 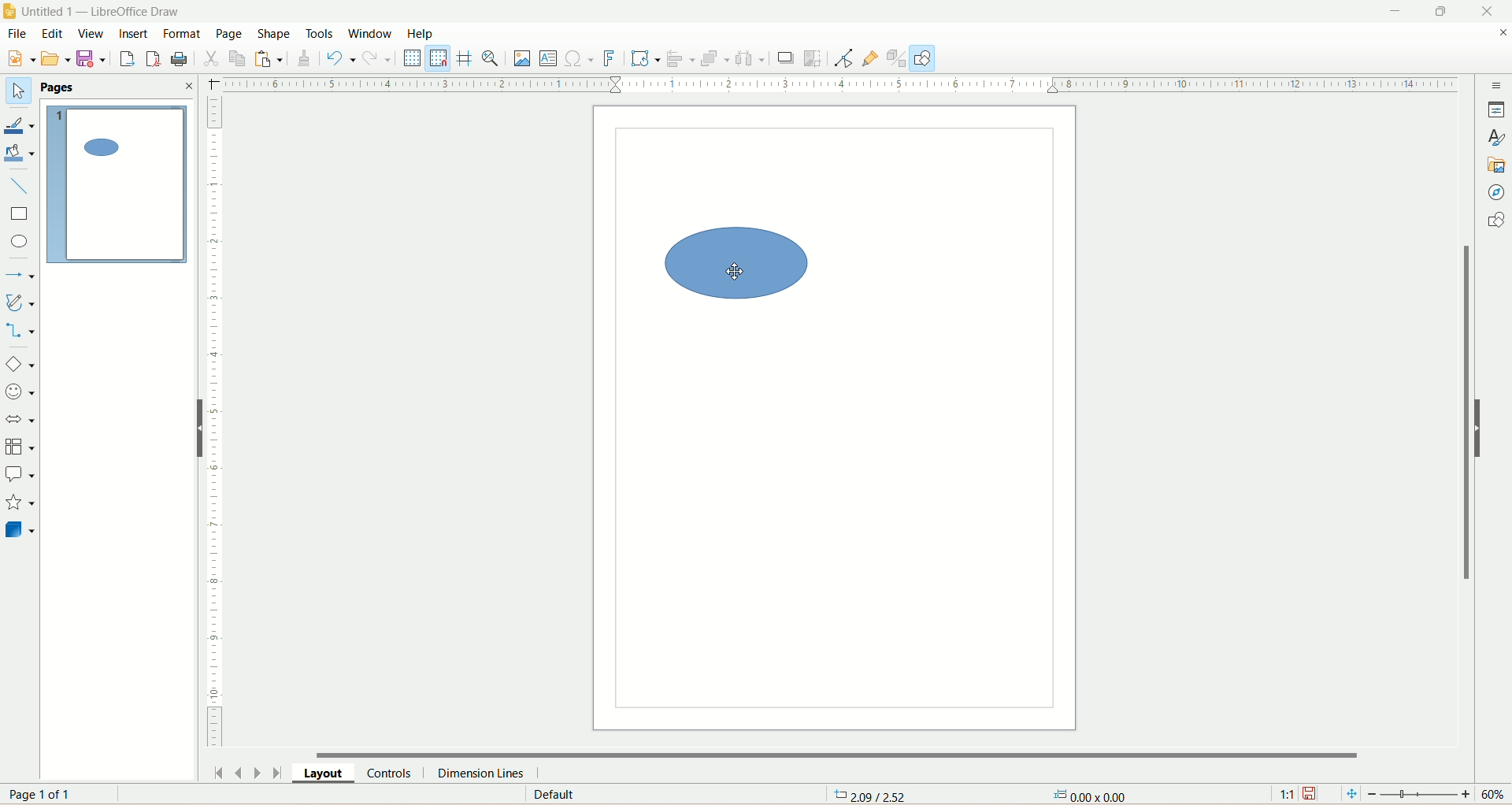 I want to click on vertical scroll bar, so click(x=1462, y=421).